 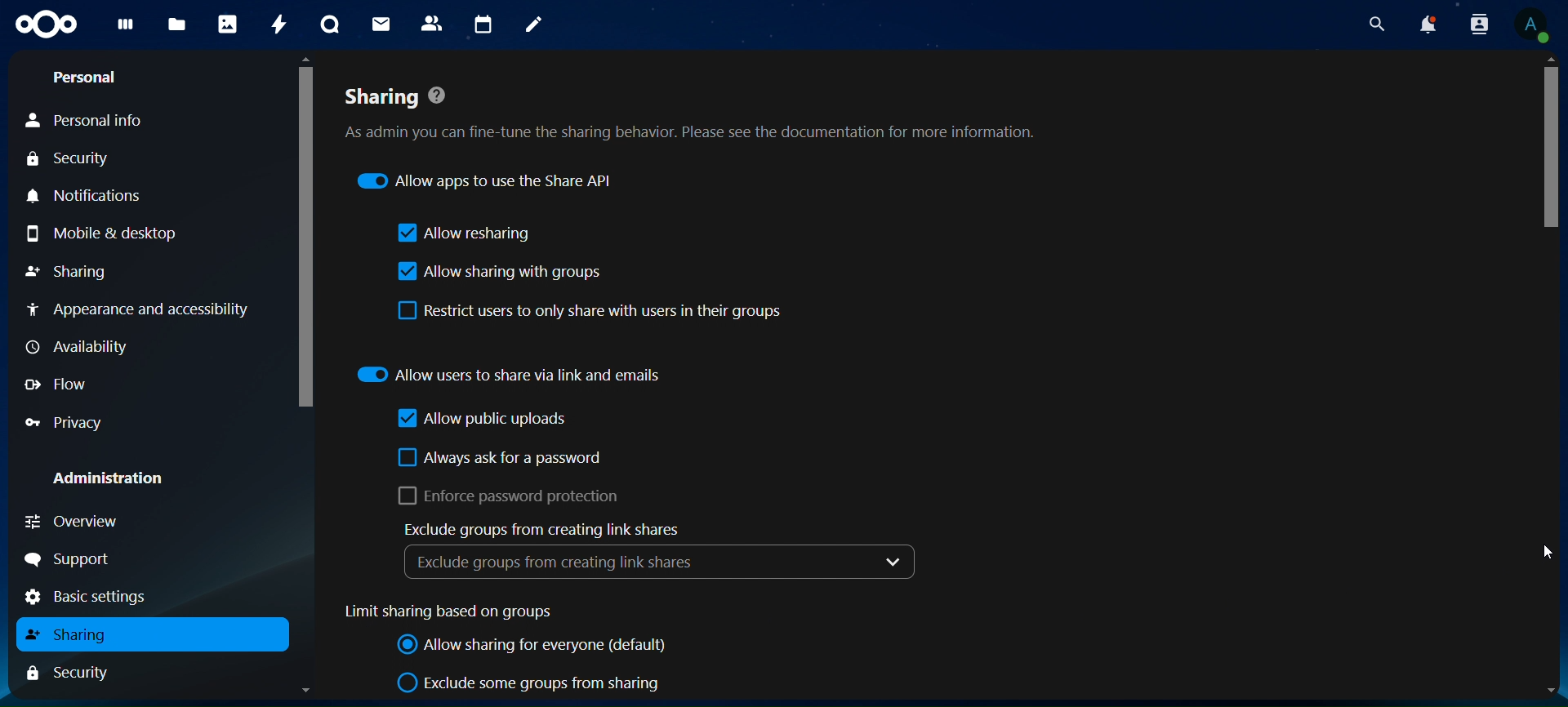 I want to click on sharing, so click(x=691, y=116).